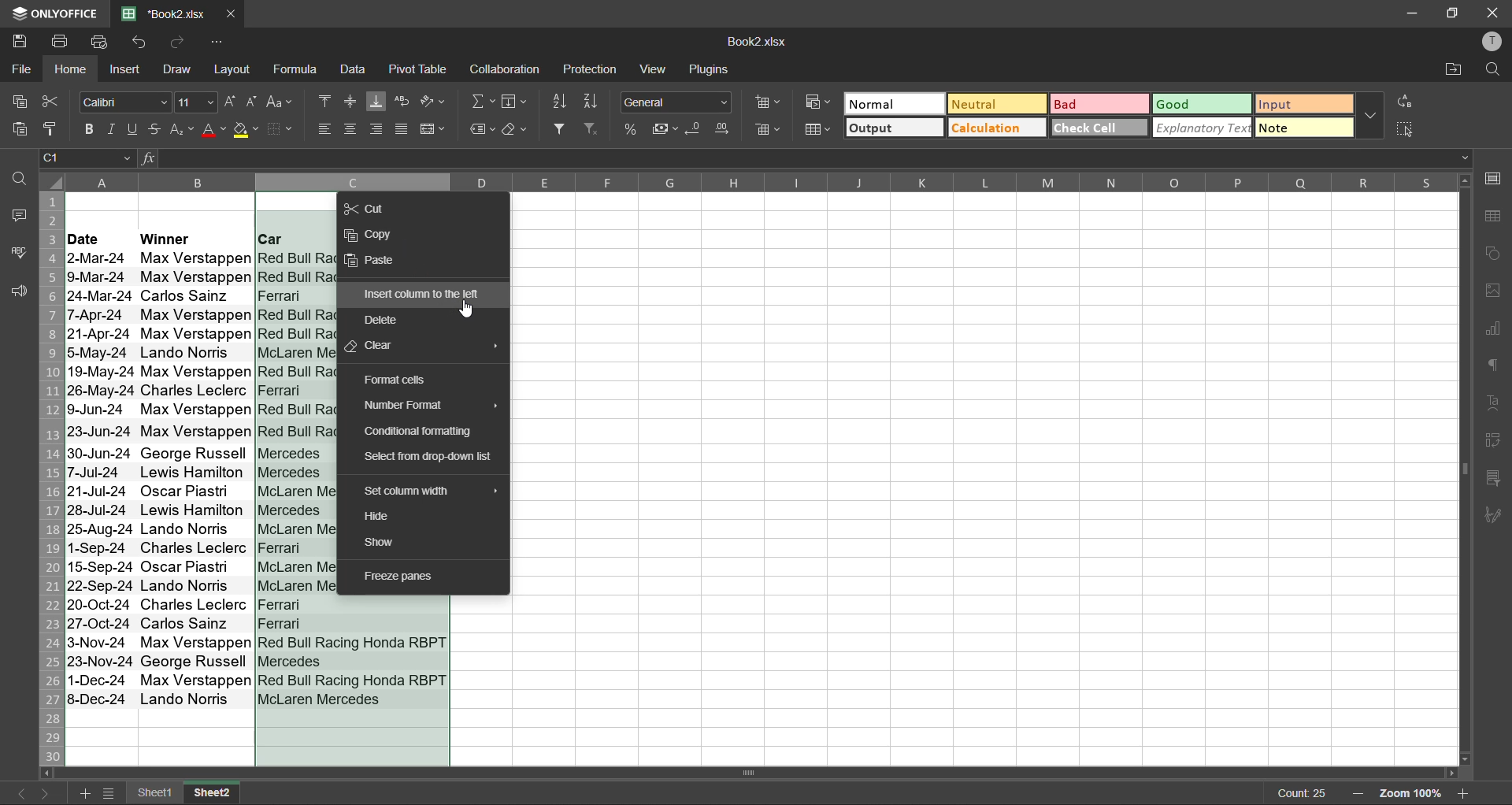  What do you see at coordinates (594, 132) in the screenshot?
I see `clear filter` at bounding box center [594, 132].